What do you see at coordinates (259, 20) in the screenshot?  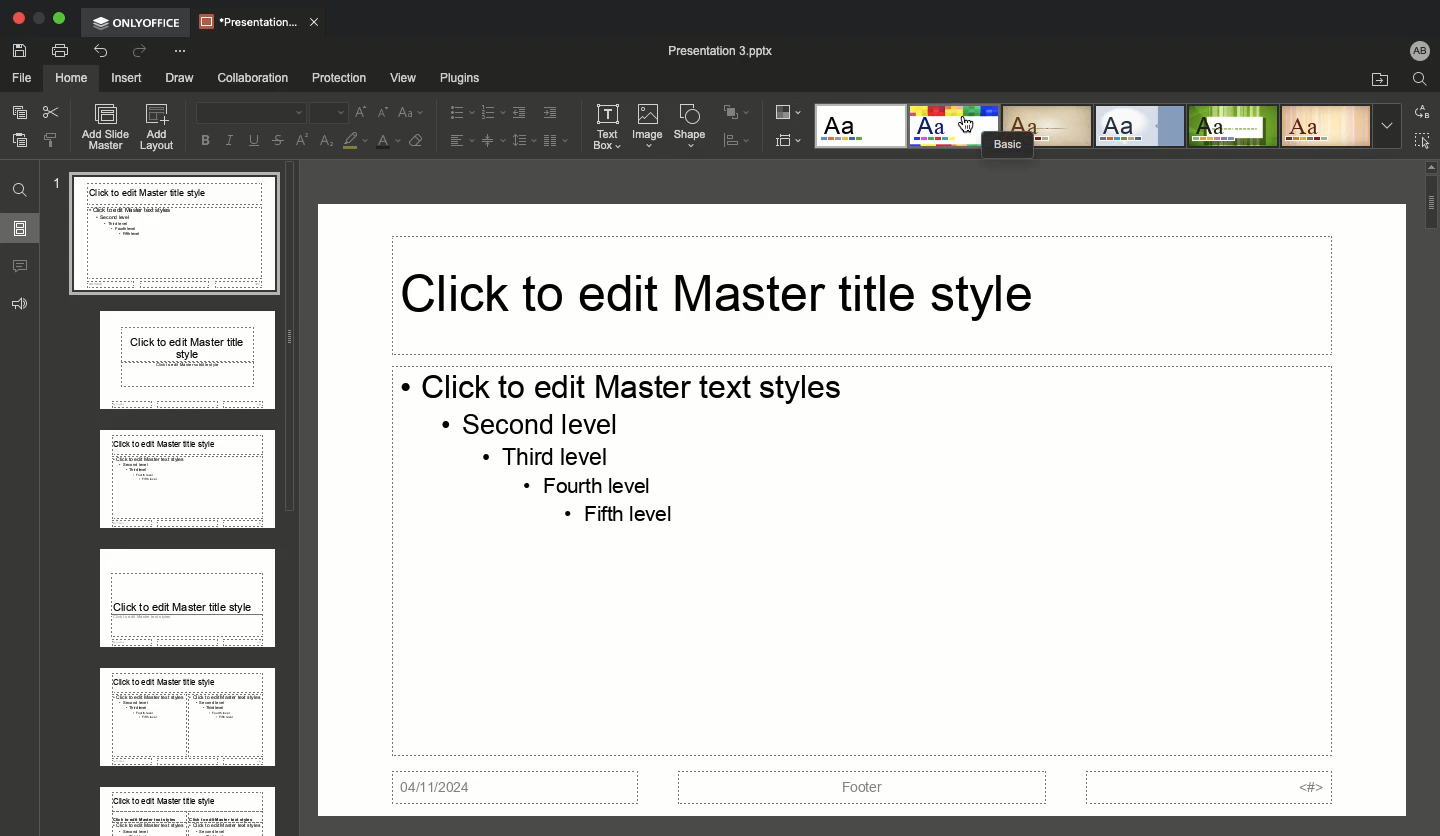 I see `Presentation..` at bounding box center [259, 20].